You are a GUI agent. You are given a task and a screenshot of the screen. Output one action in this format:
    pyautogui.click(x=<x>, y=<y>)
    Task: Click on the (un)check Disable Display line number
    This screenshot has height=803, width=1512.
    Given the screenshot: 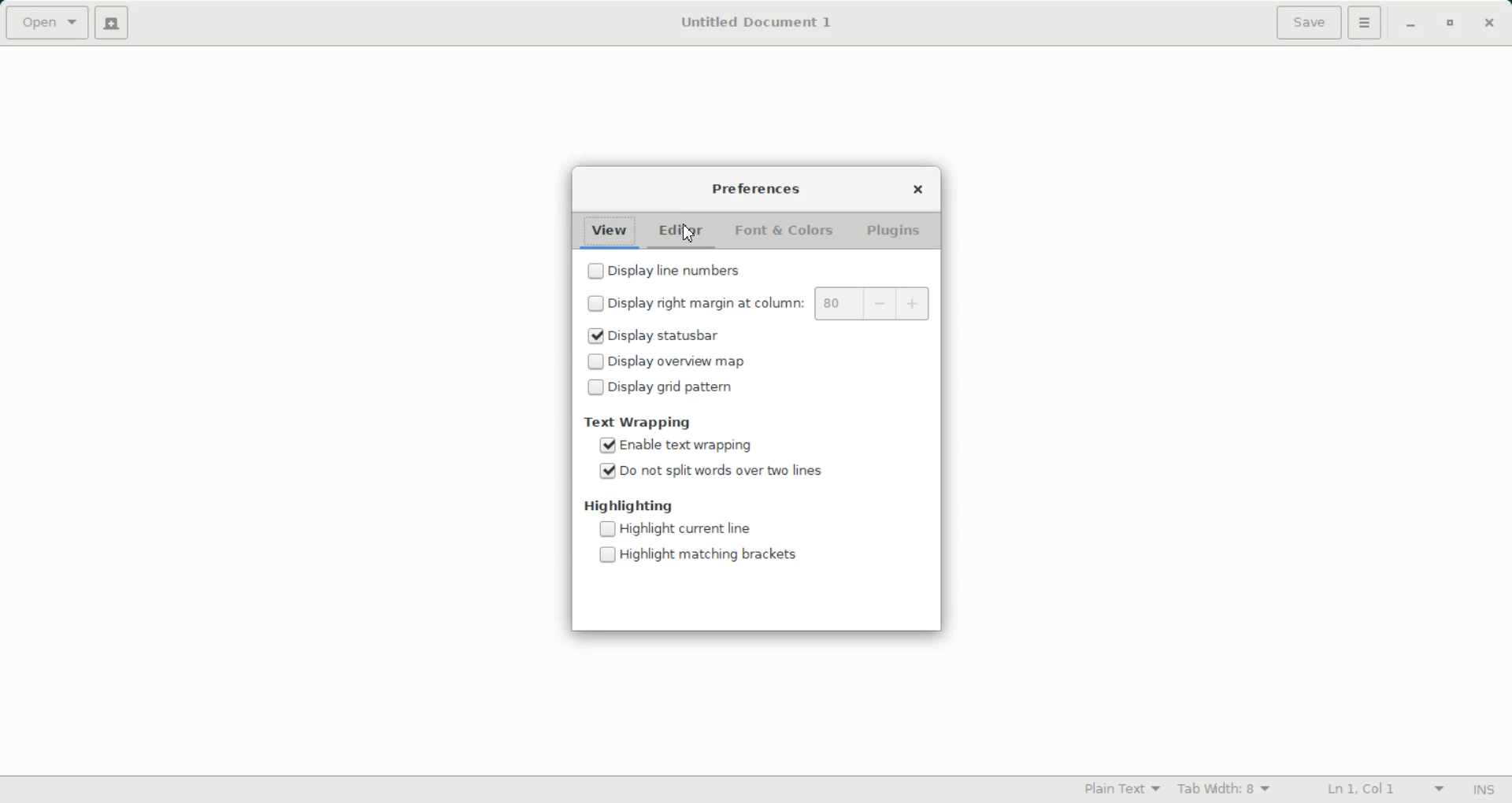 What is the action you would take?
    pyautogui.click(x=743, y=268)
    